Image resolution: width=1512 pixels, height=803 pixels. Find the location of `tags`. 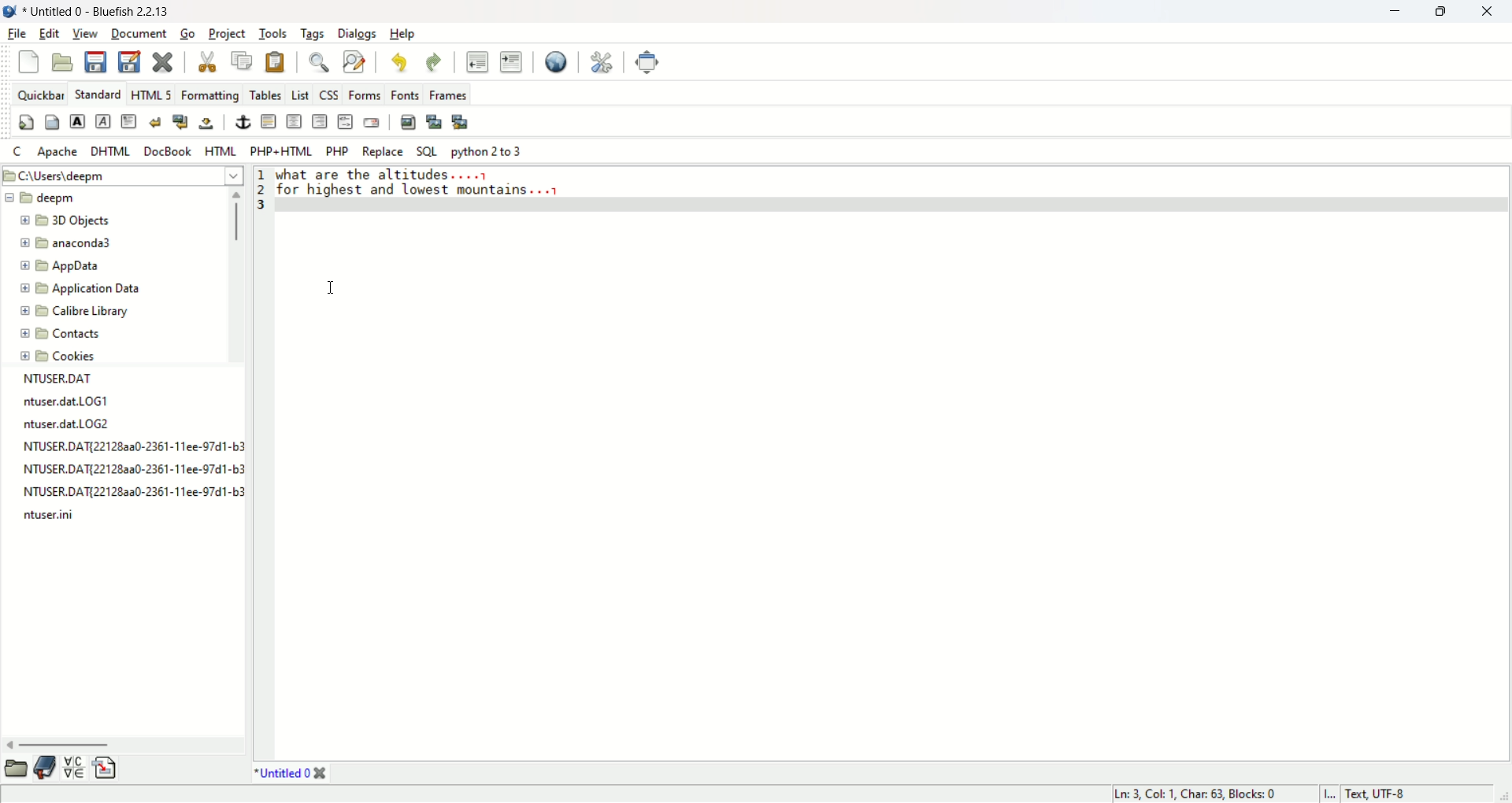

tags is located at coordinates (313, 34).